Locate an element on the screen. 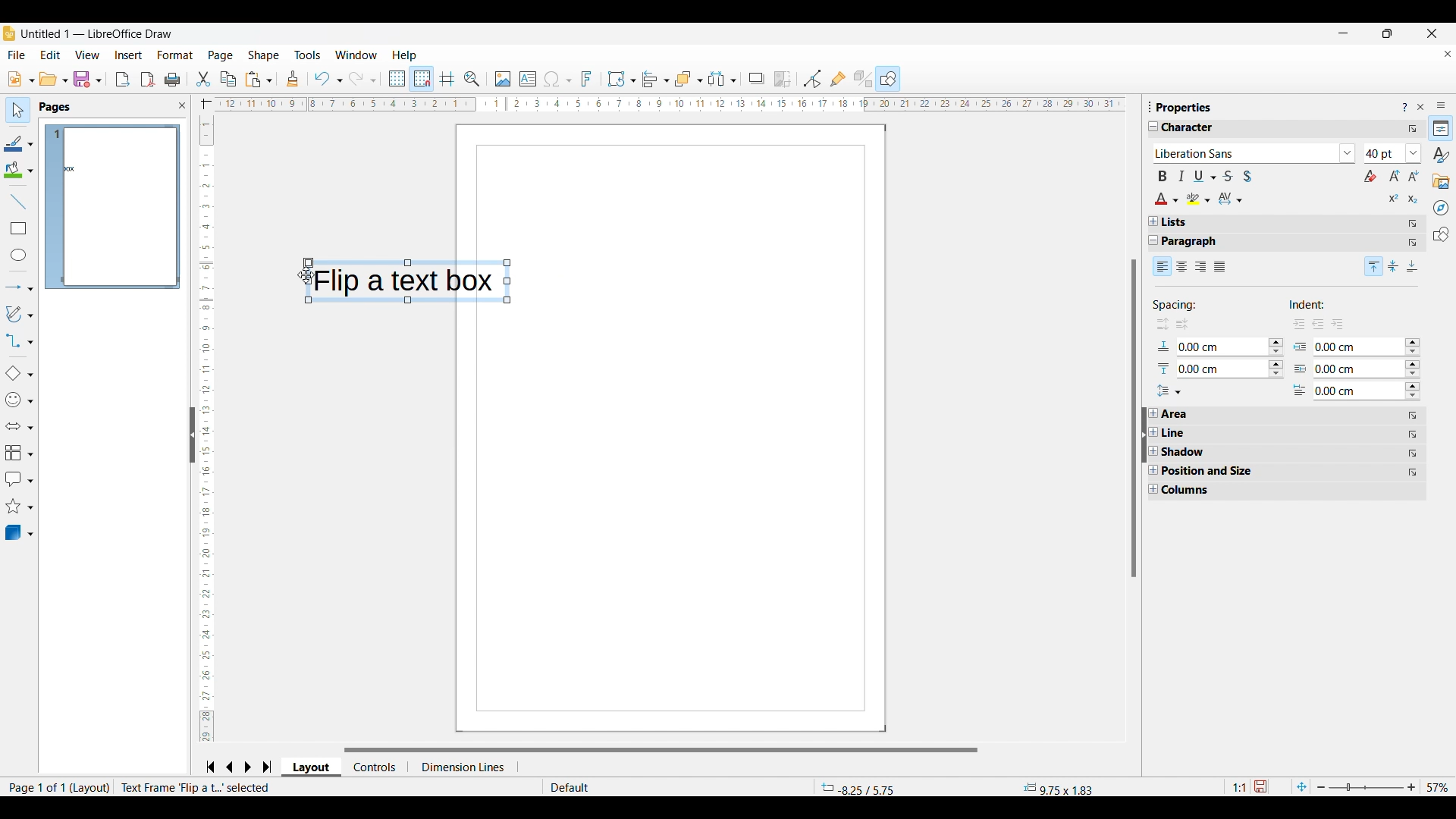  Page menu is located at coordinates (221, 56).